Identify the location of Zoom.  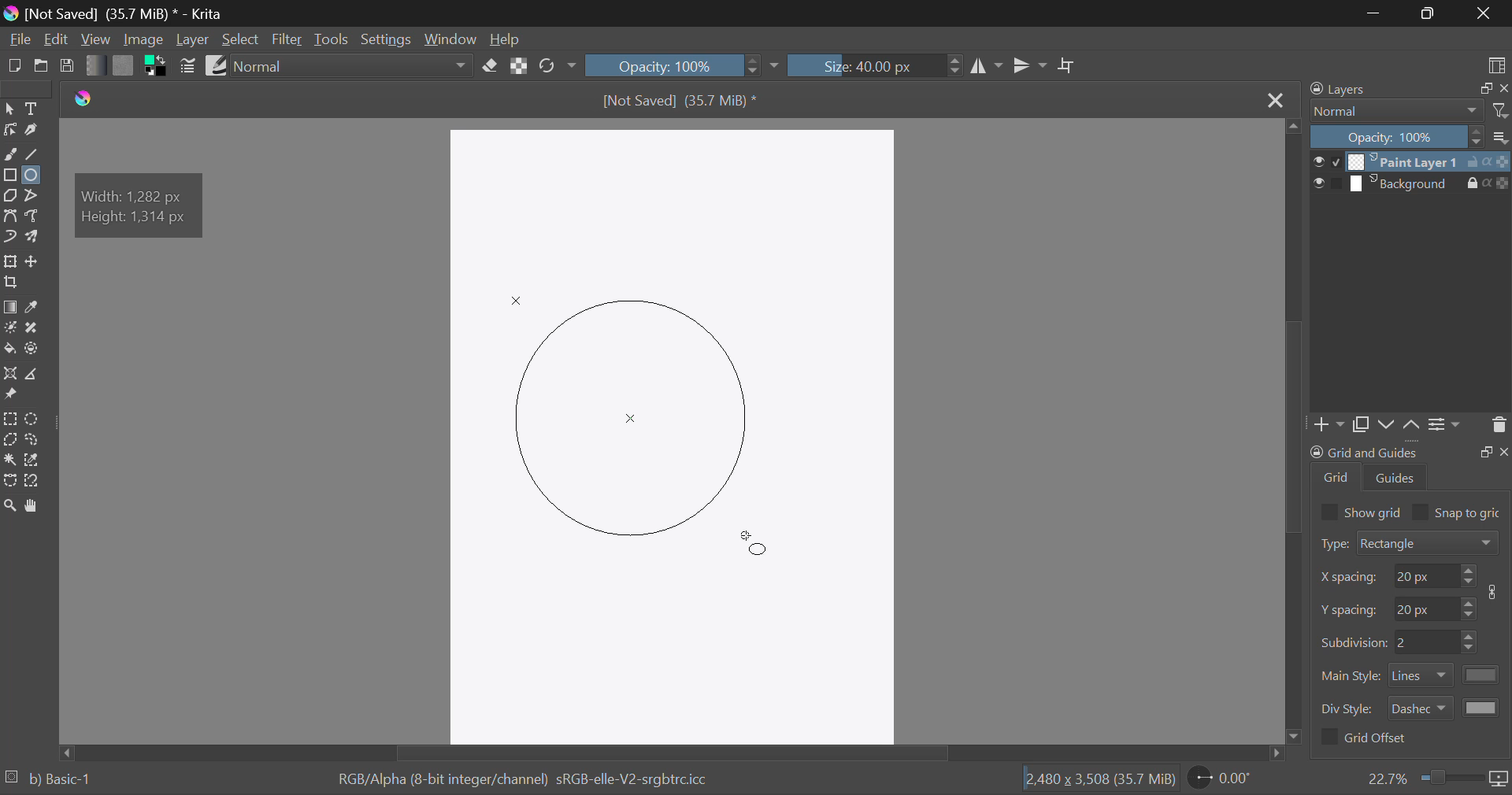
(1437, 778).